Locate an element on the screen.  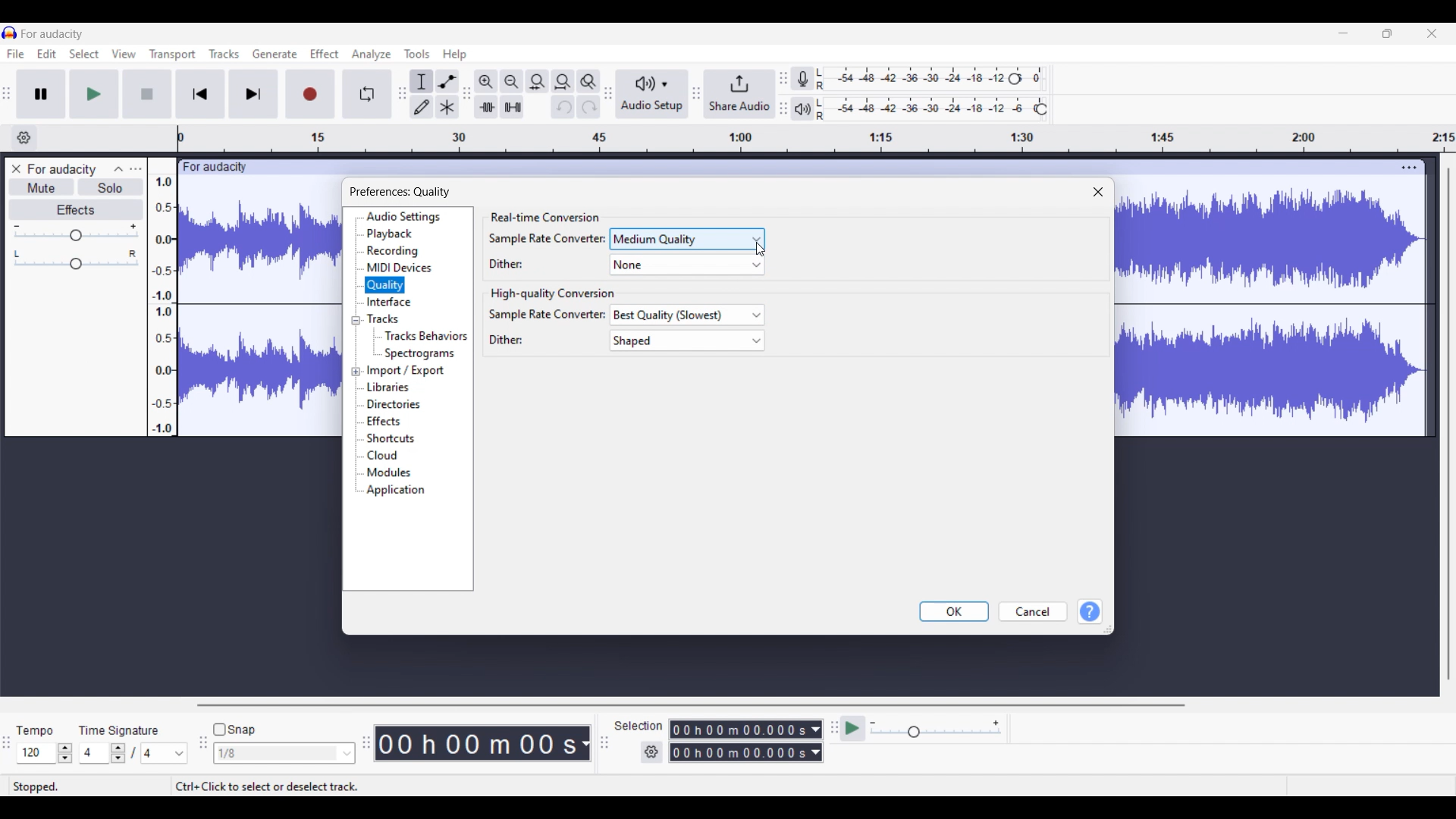
Pan to left is located at coordinates (17, 254).